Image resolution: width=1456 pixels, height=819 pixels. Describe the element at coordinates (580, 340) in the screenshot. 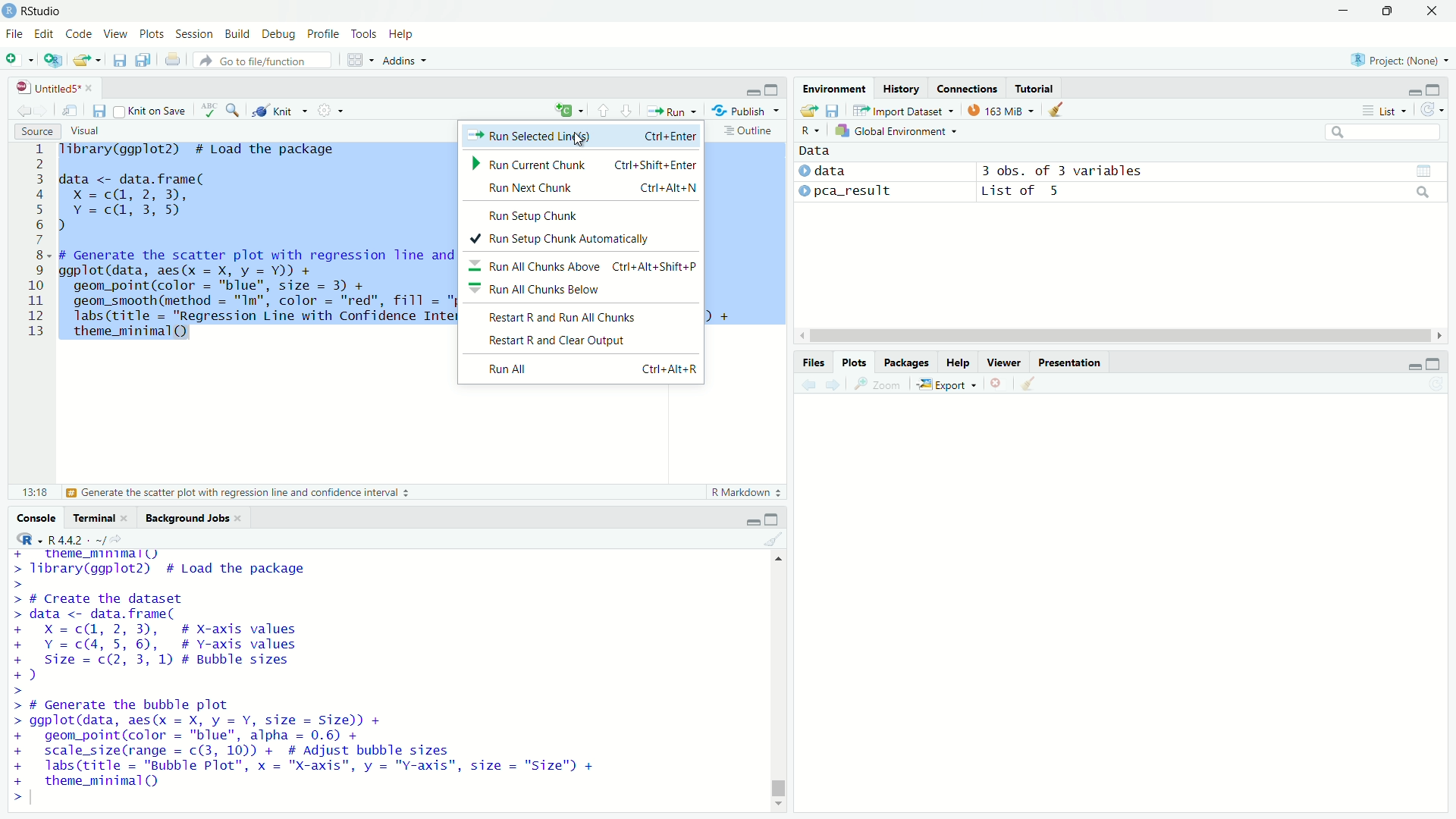

I see `Restart R and Clear Output` at that location.